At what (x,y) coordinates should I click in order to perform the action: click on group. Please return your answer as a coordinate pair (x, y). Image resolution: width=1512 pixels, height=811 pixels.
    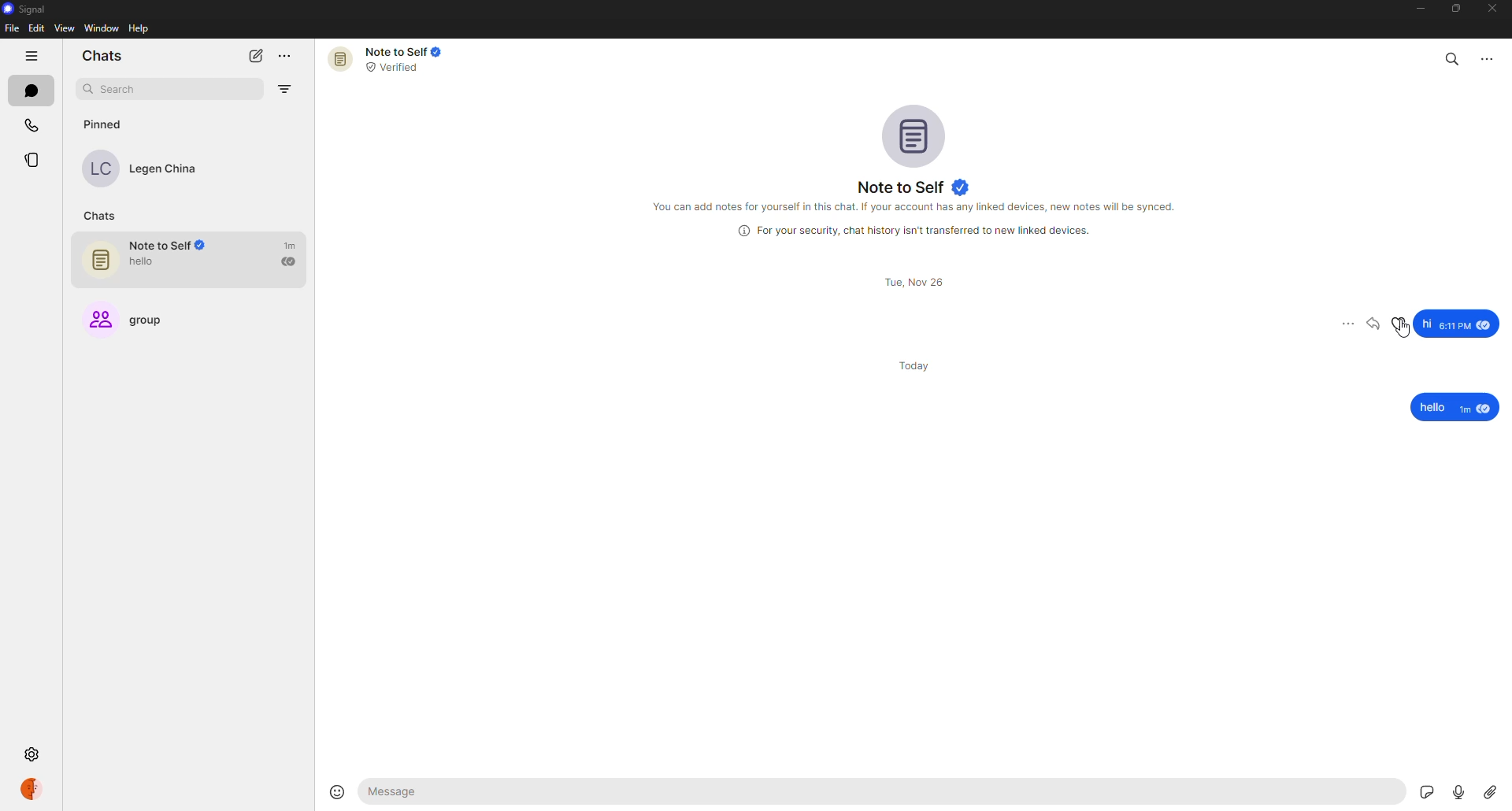
    Looking at the image, I should click on (134, 314).